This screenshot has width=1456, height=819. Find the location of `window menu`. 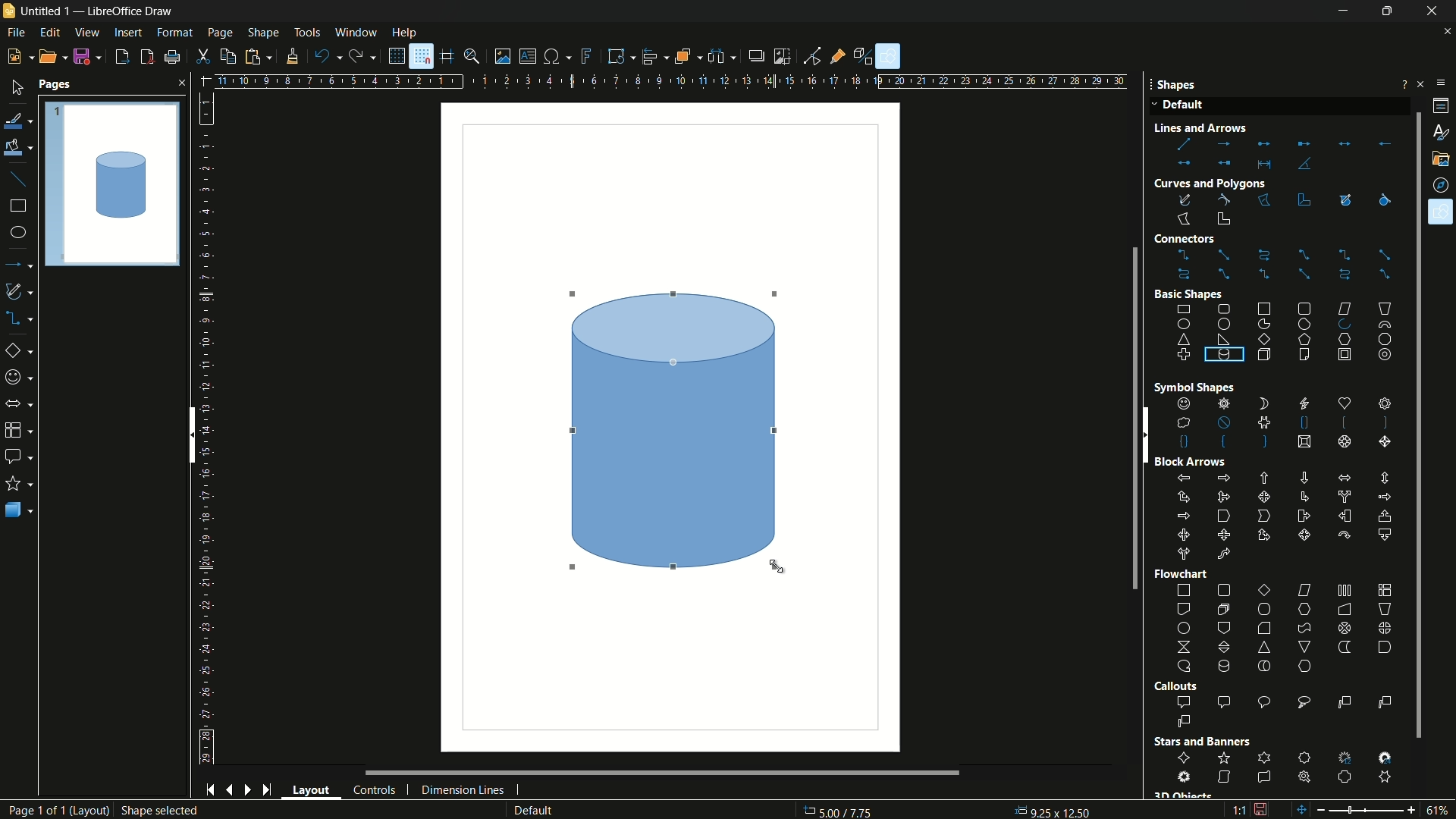

window menu is located at coordinates (355, 32).